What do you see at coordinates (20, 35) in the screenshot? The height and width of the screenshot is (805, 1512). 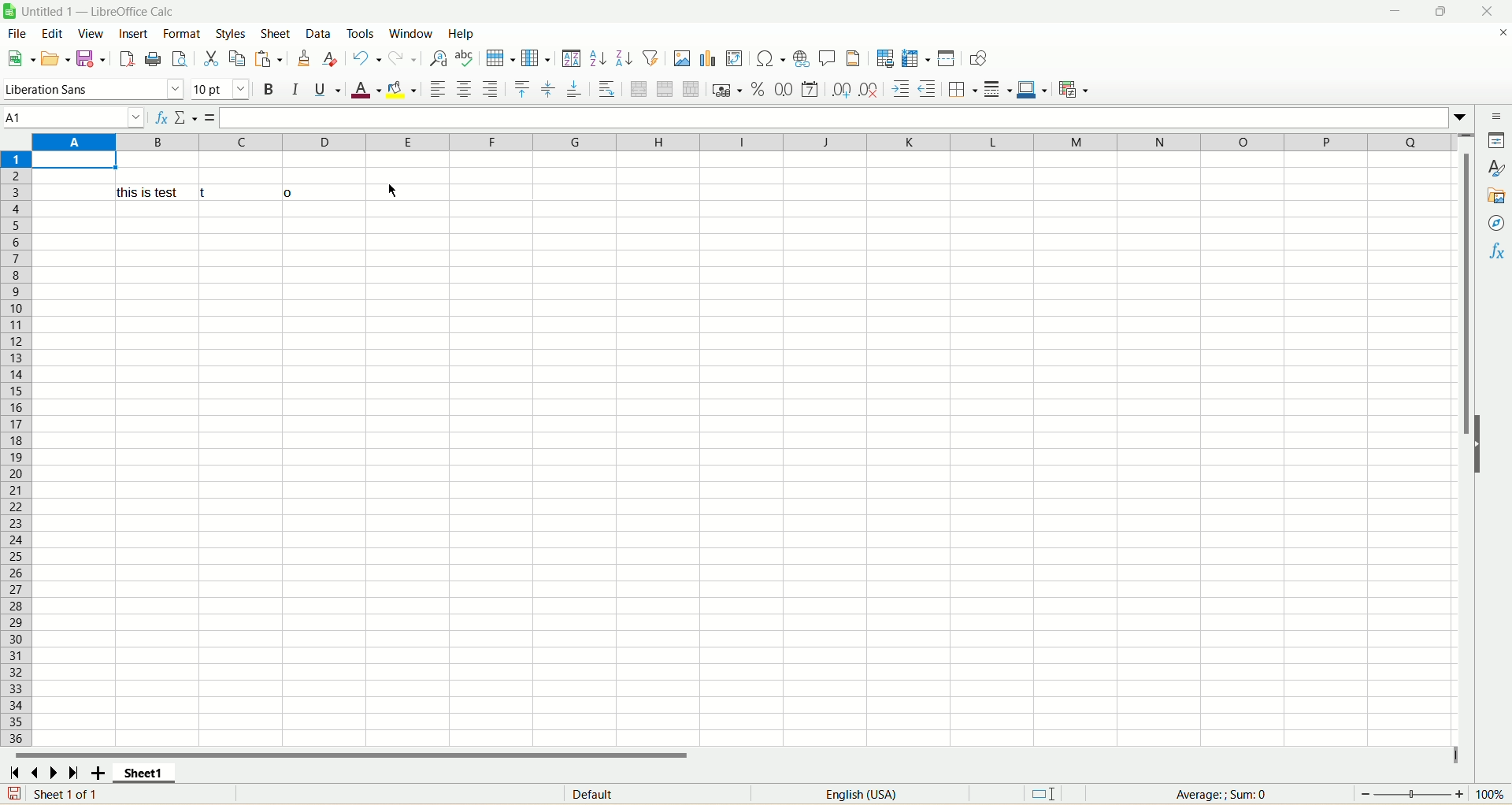 I see `file` at bounding box center [20, 35].